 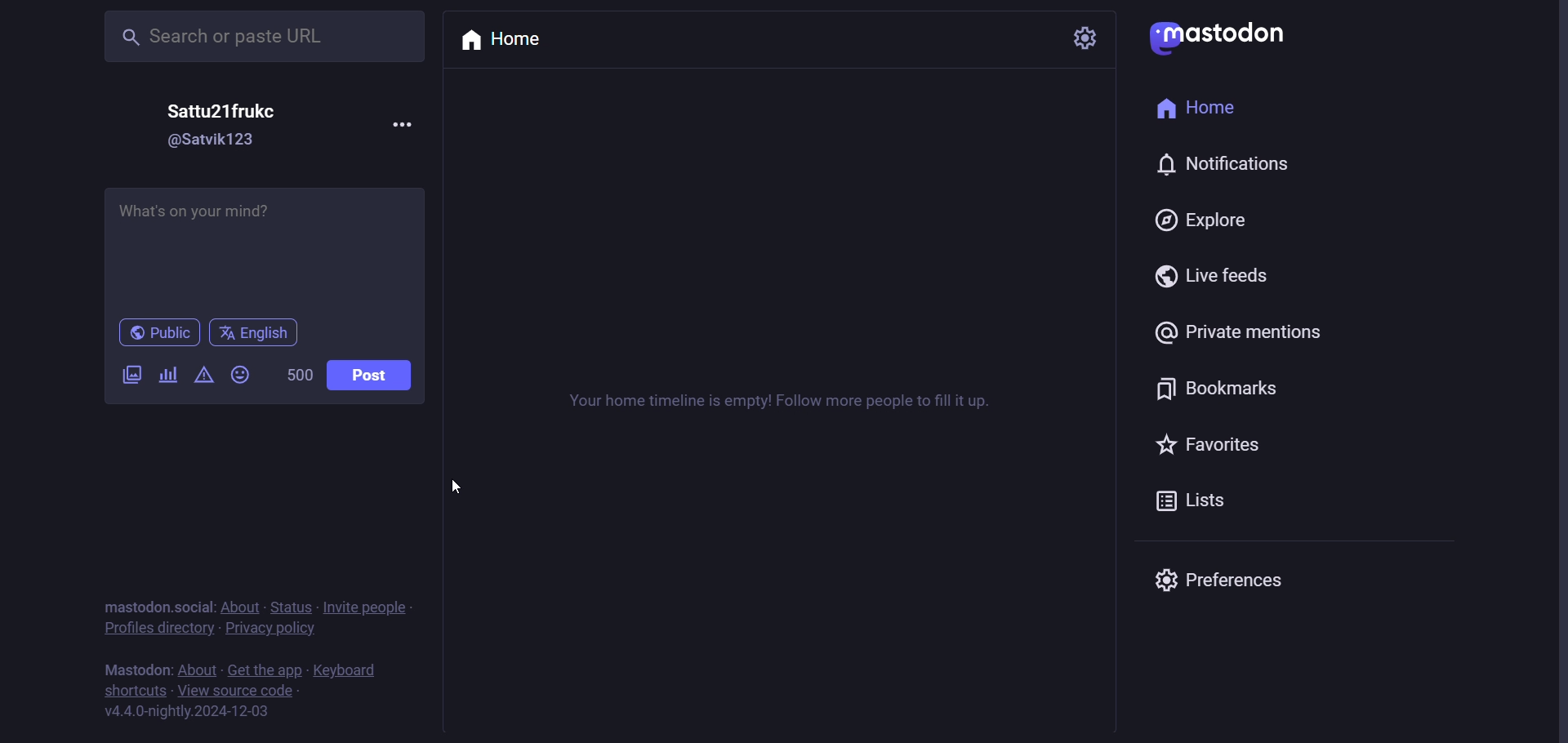 What do you see at coordinates (1082, 38) in the screenshot?
I see `seetting` at bounding box center [1082, 38].